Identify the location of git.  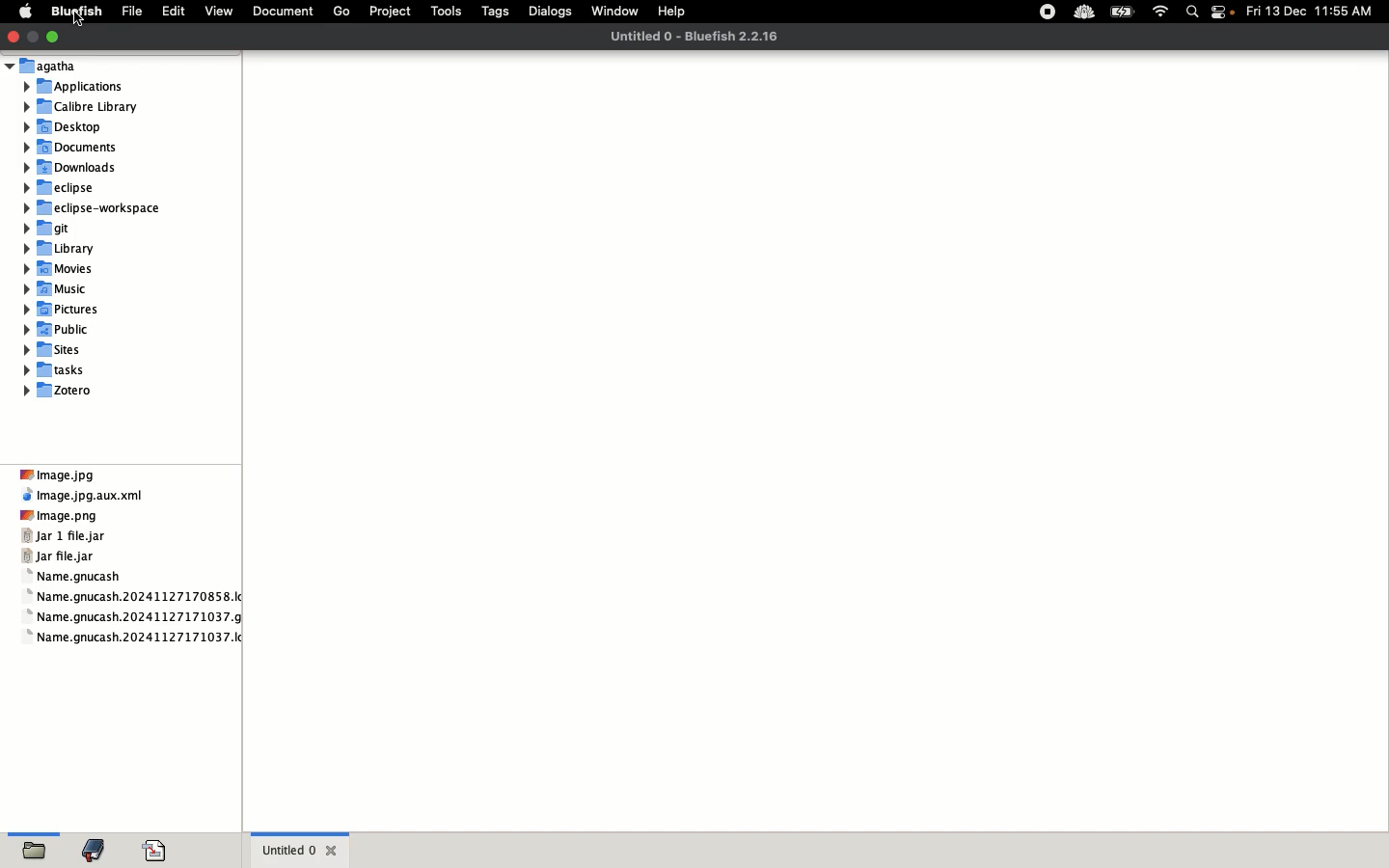
(51, 227).